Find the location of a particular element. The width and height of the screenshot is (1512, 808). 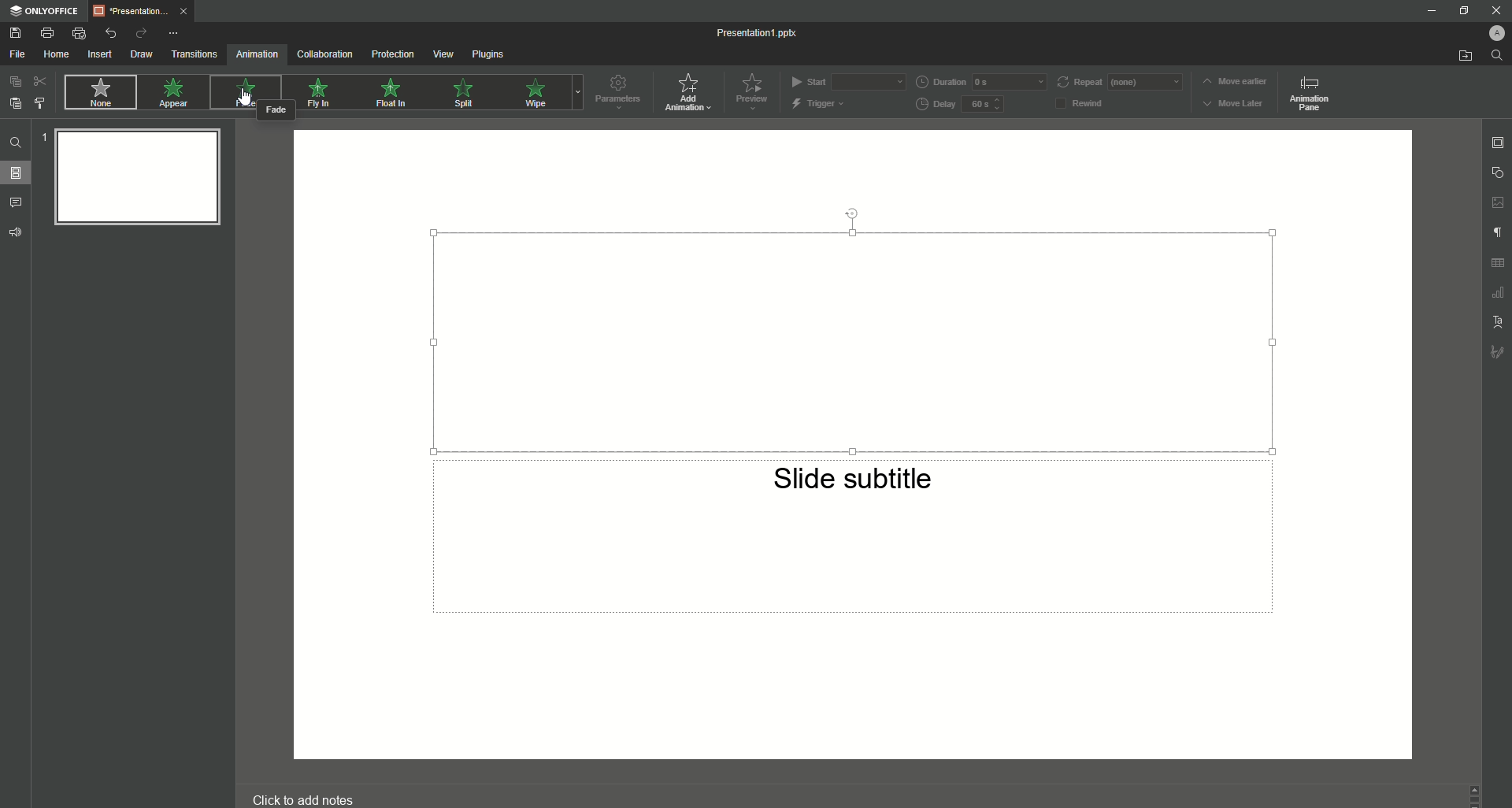

Image Settings is located at coordinates (1496, 204).